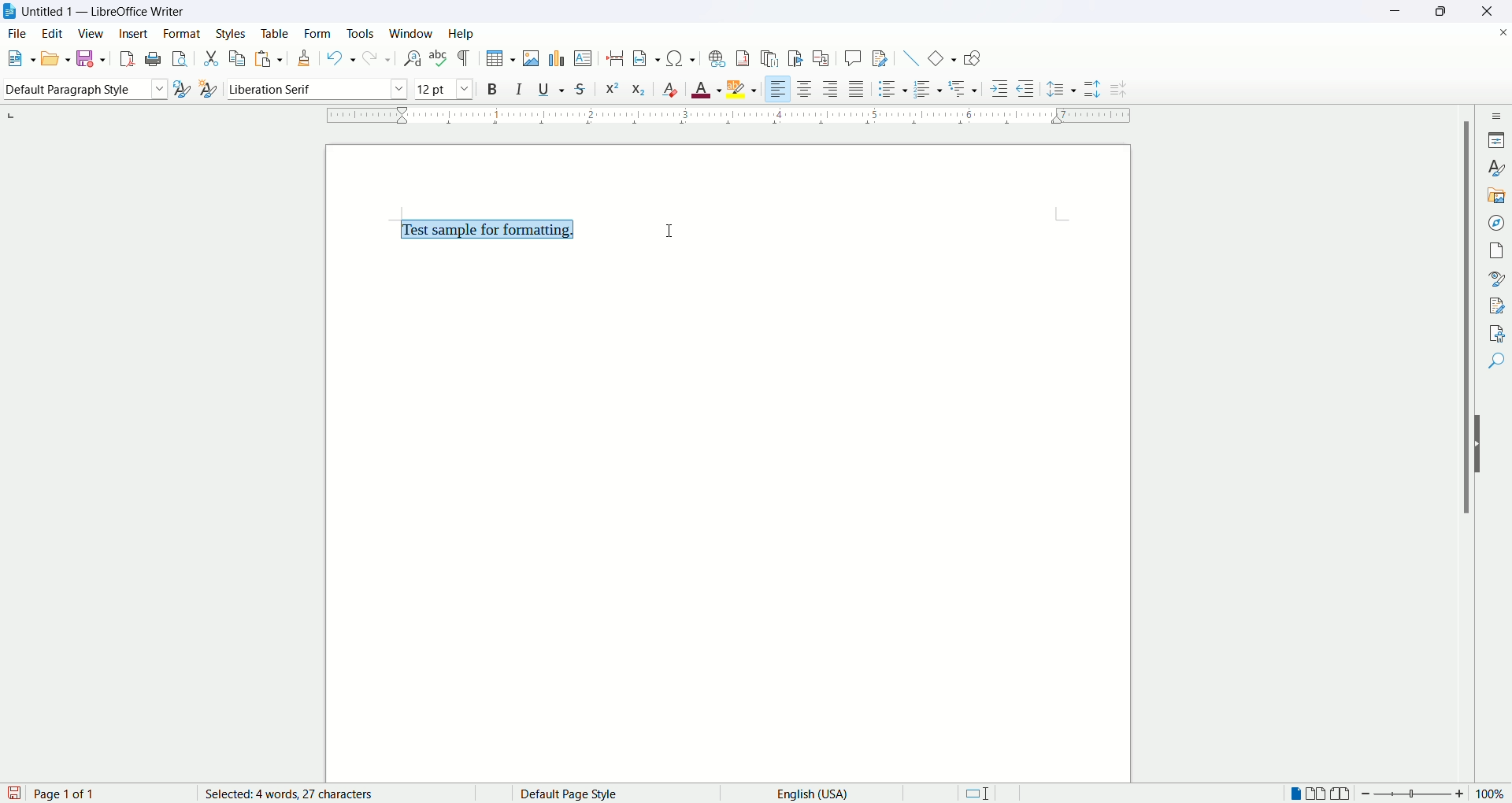  I want to click on strikethrough, so click(579, 89).